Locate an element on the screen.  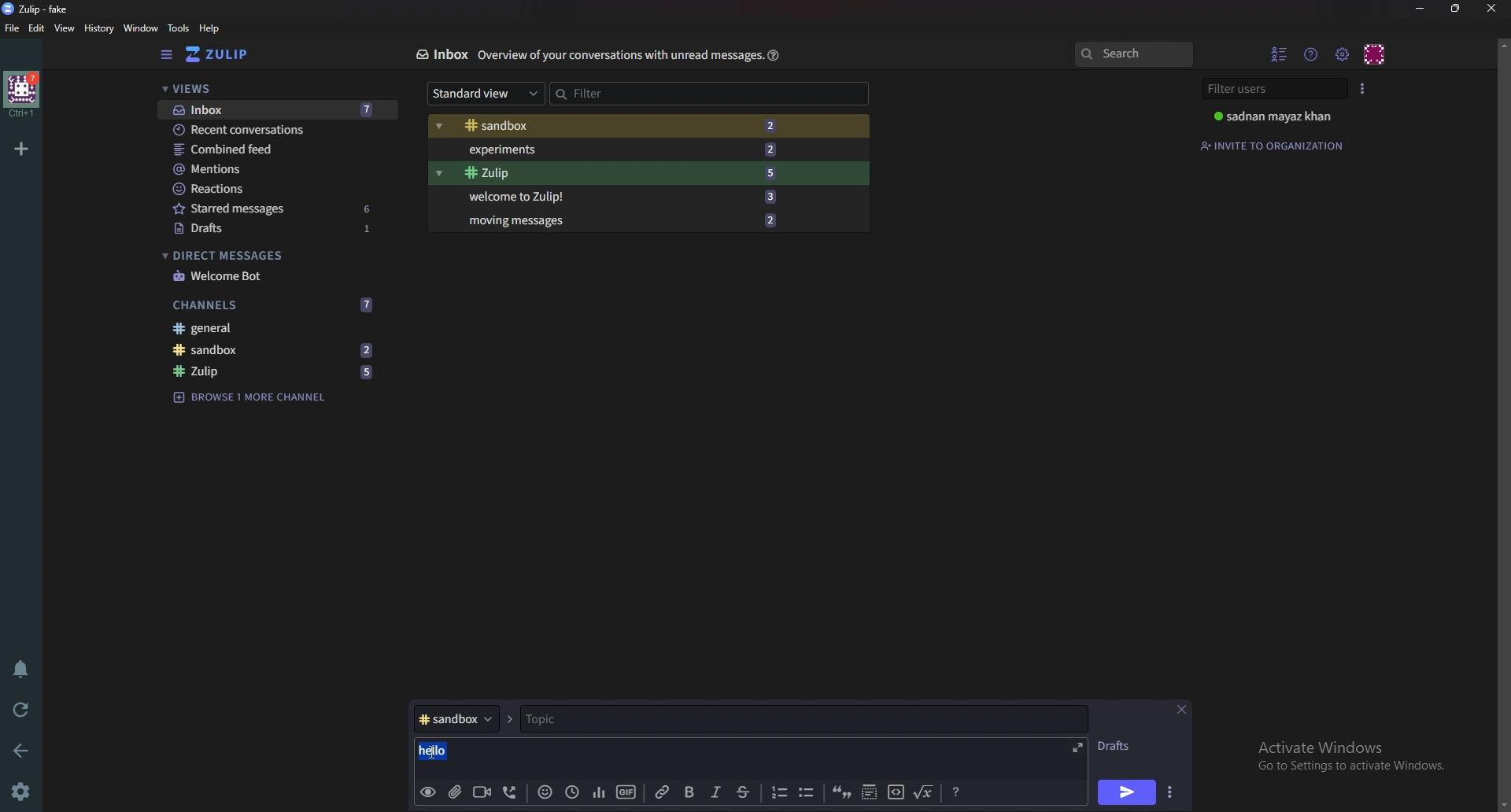
Invite to organization is located at coordinates (1273, 145).